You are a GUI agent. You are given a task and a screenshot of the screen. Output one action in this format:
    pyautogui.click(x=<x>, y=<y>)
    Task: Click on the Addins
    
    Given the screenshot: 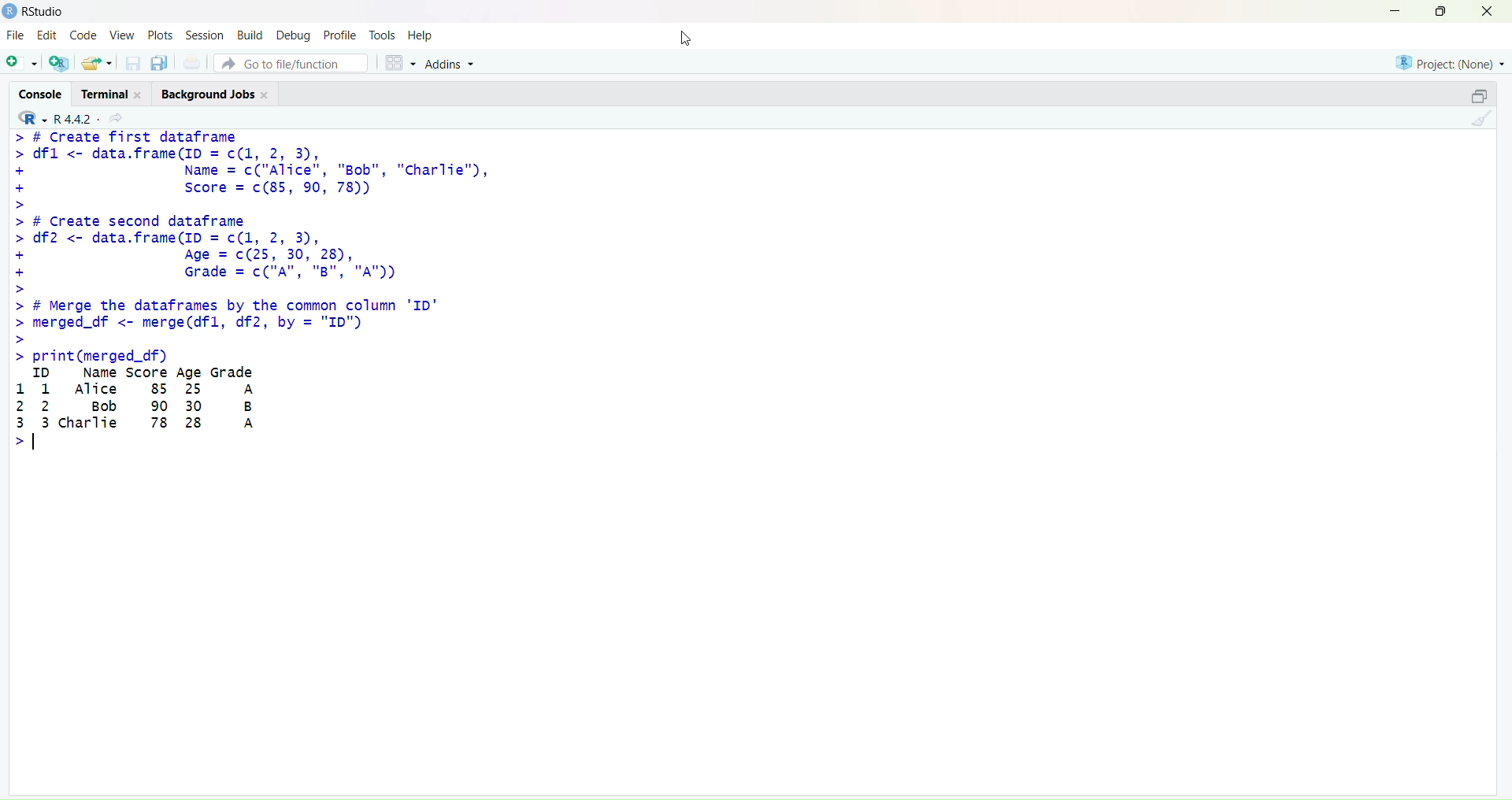 What is the action you would take?
    pyautogui.click(x=450, y=63)
    